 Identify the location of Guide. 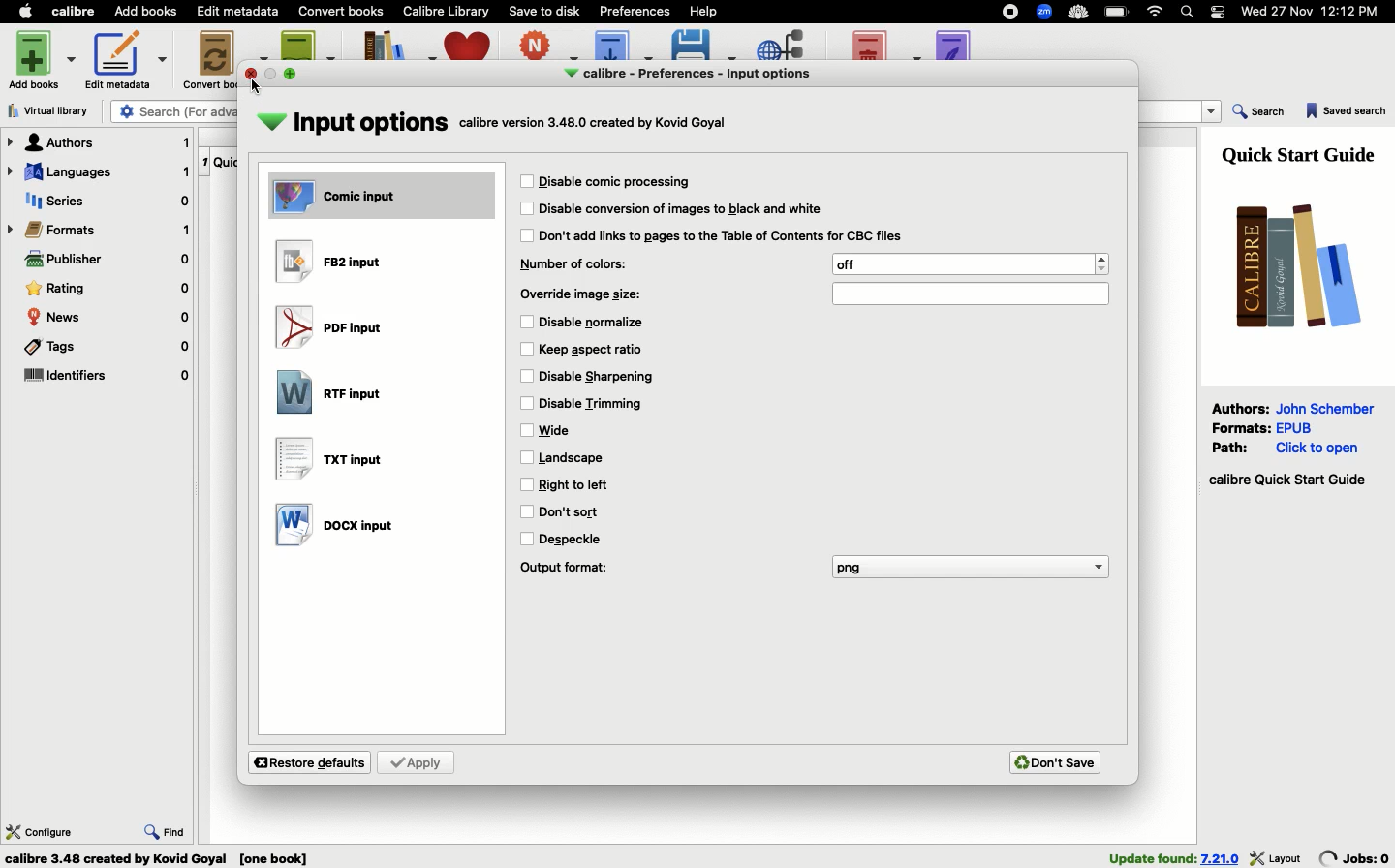
(1303, 153).